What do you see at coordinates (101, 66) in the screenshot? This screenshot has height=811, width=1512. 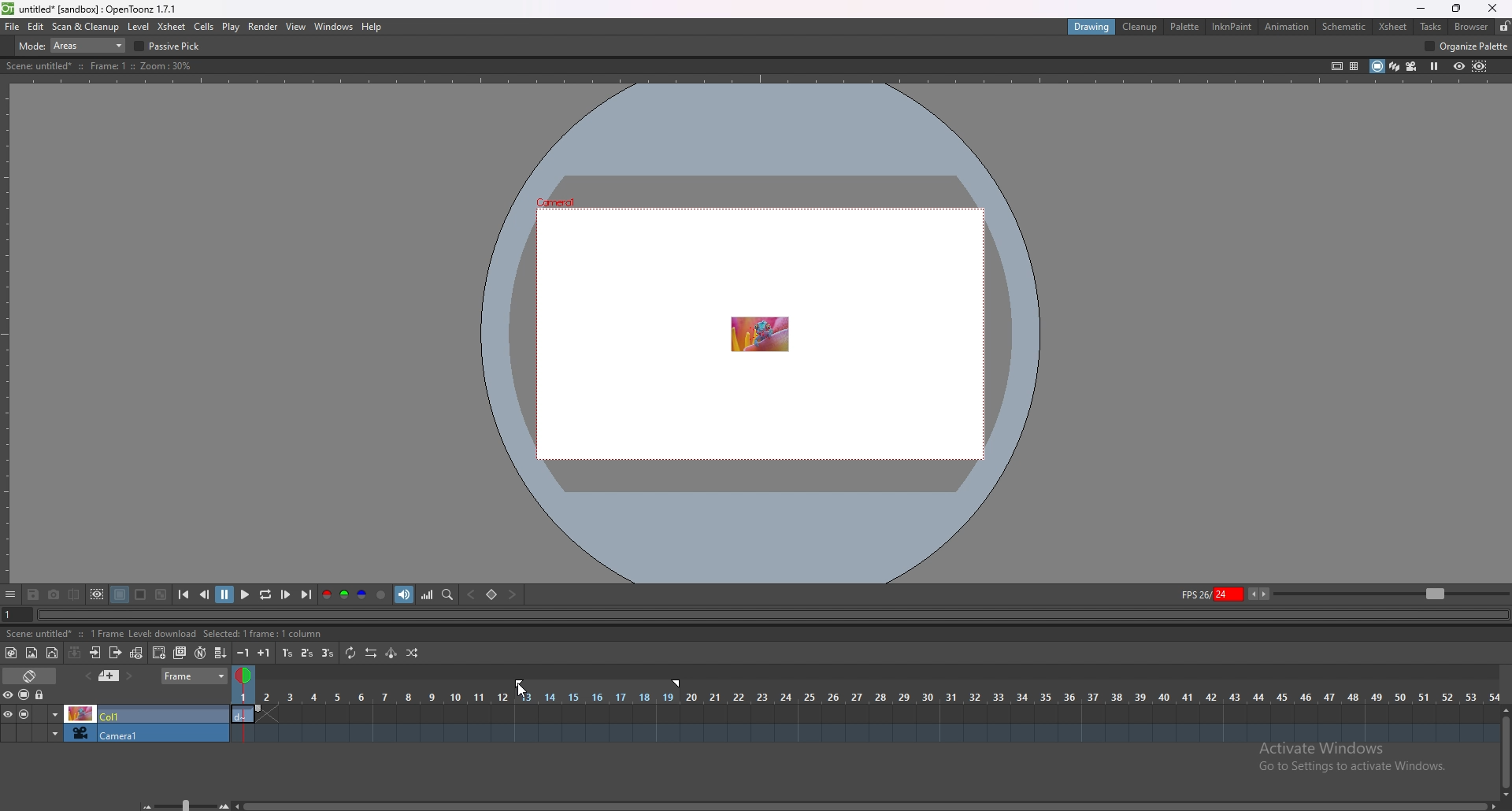 I see `description` at bounding box center [101, 66].